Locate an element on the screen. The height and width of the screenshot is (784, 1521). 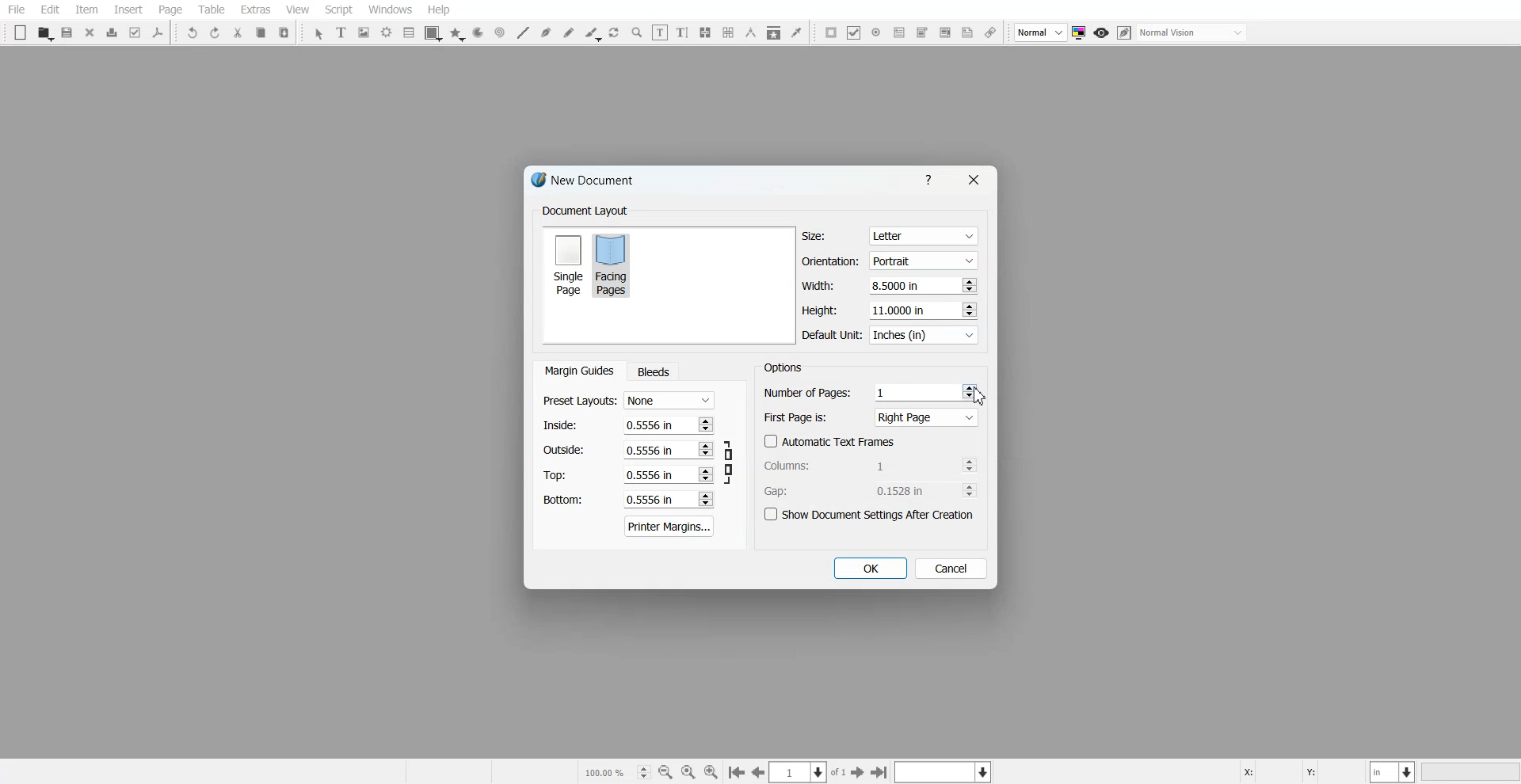
Height adjuster is located at coordinates (890, 310).